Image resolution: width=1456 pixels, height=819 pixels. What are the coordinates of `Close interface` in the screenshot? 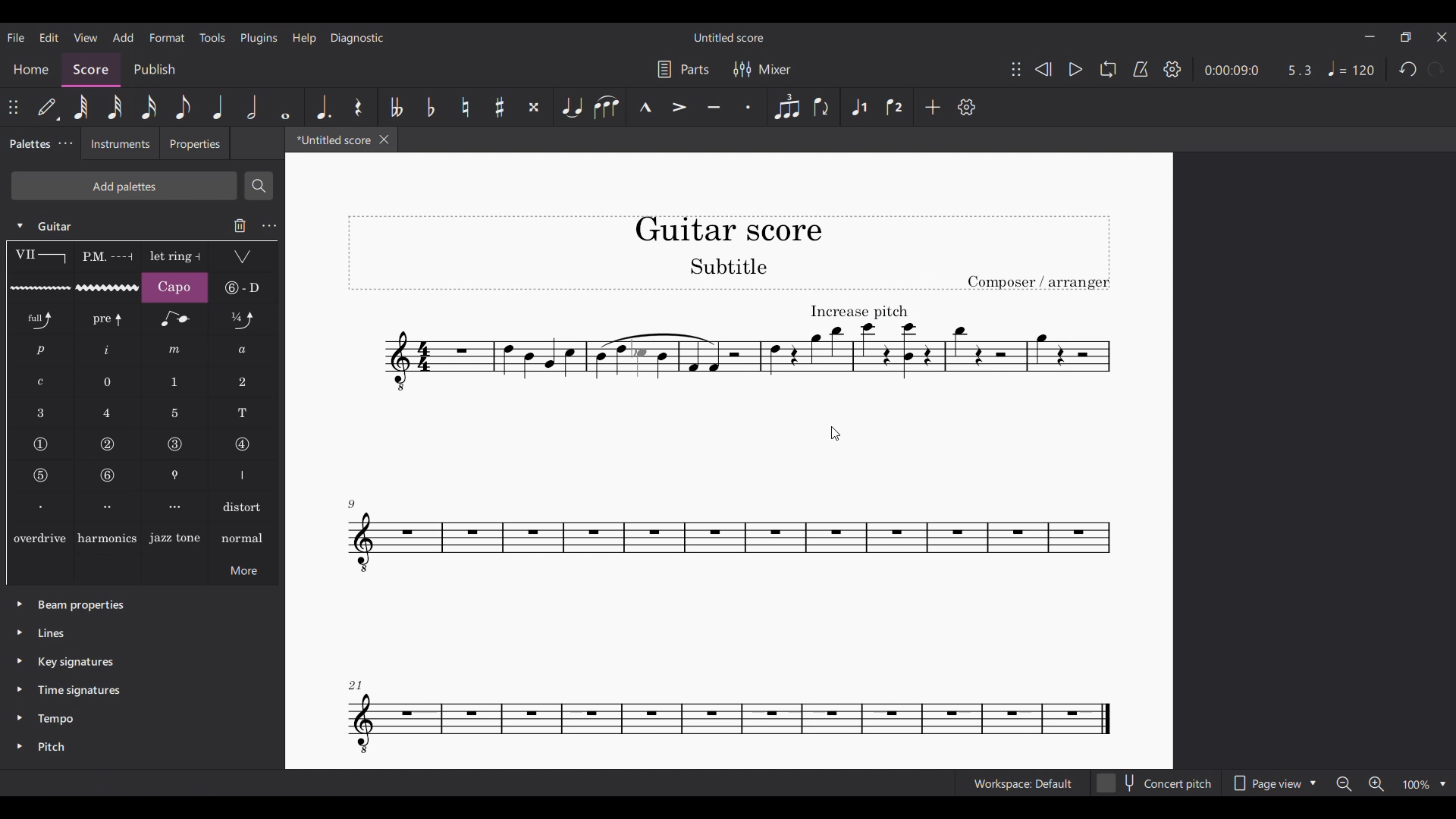 It's located at (1442, 37).